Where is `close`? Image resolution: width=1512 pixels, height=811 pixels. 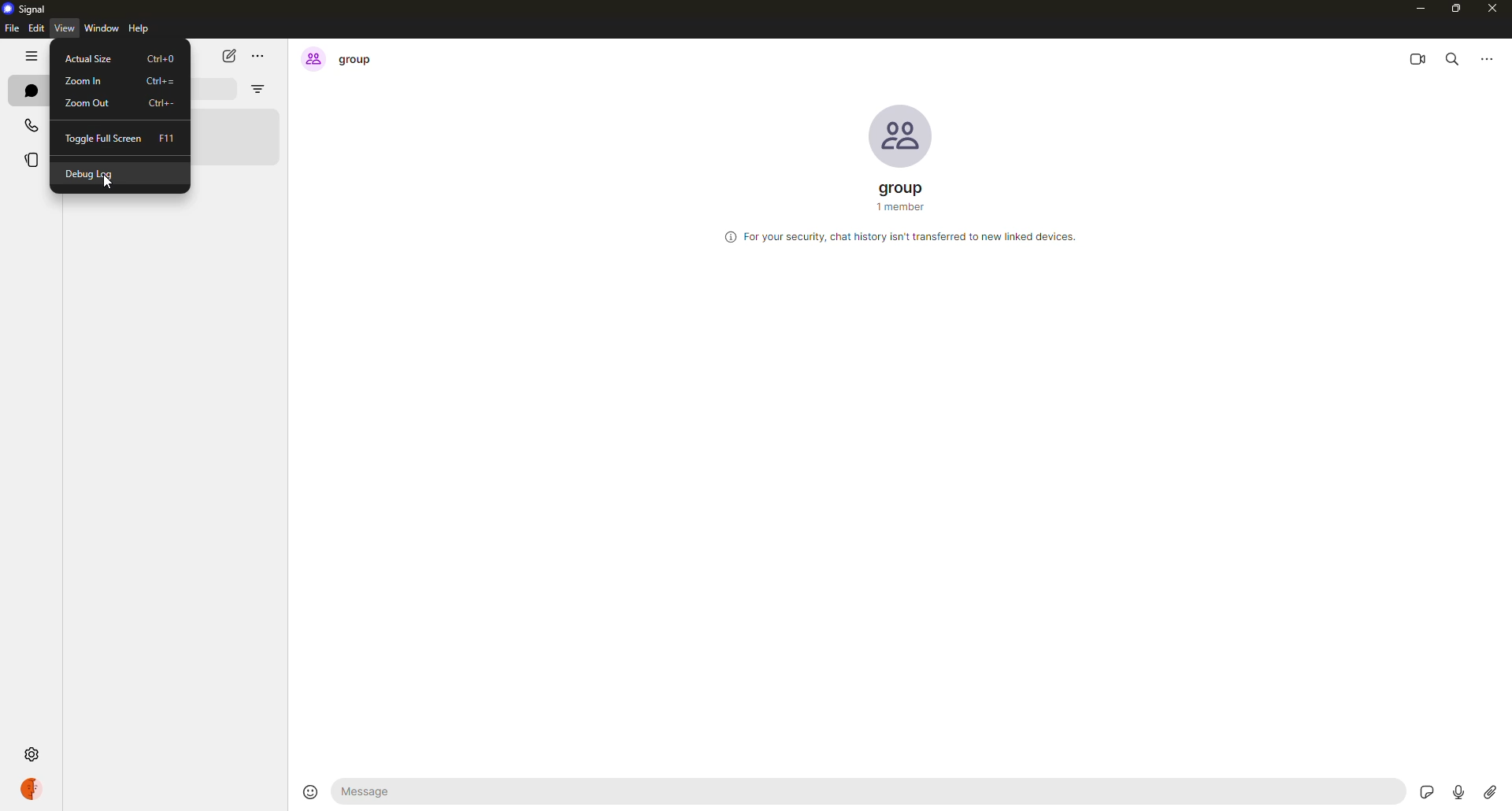
close is located at coordinates (1494, 10).